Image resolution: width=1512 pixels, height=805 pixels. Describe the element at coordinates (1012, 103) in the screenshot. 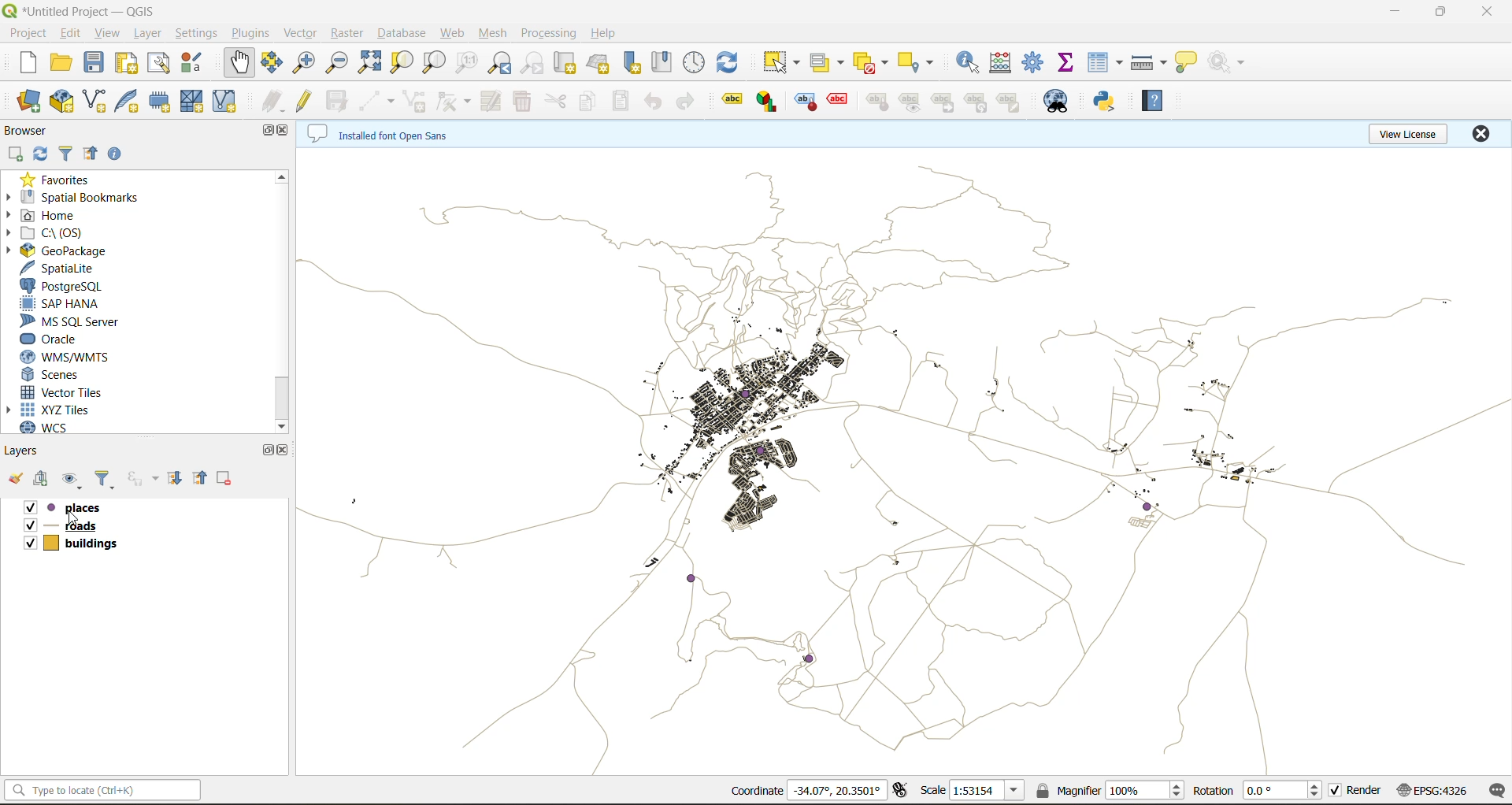

I see `change label properties` at that location.